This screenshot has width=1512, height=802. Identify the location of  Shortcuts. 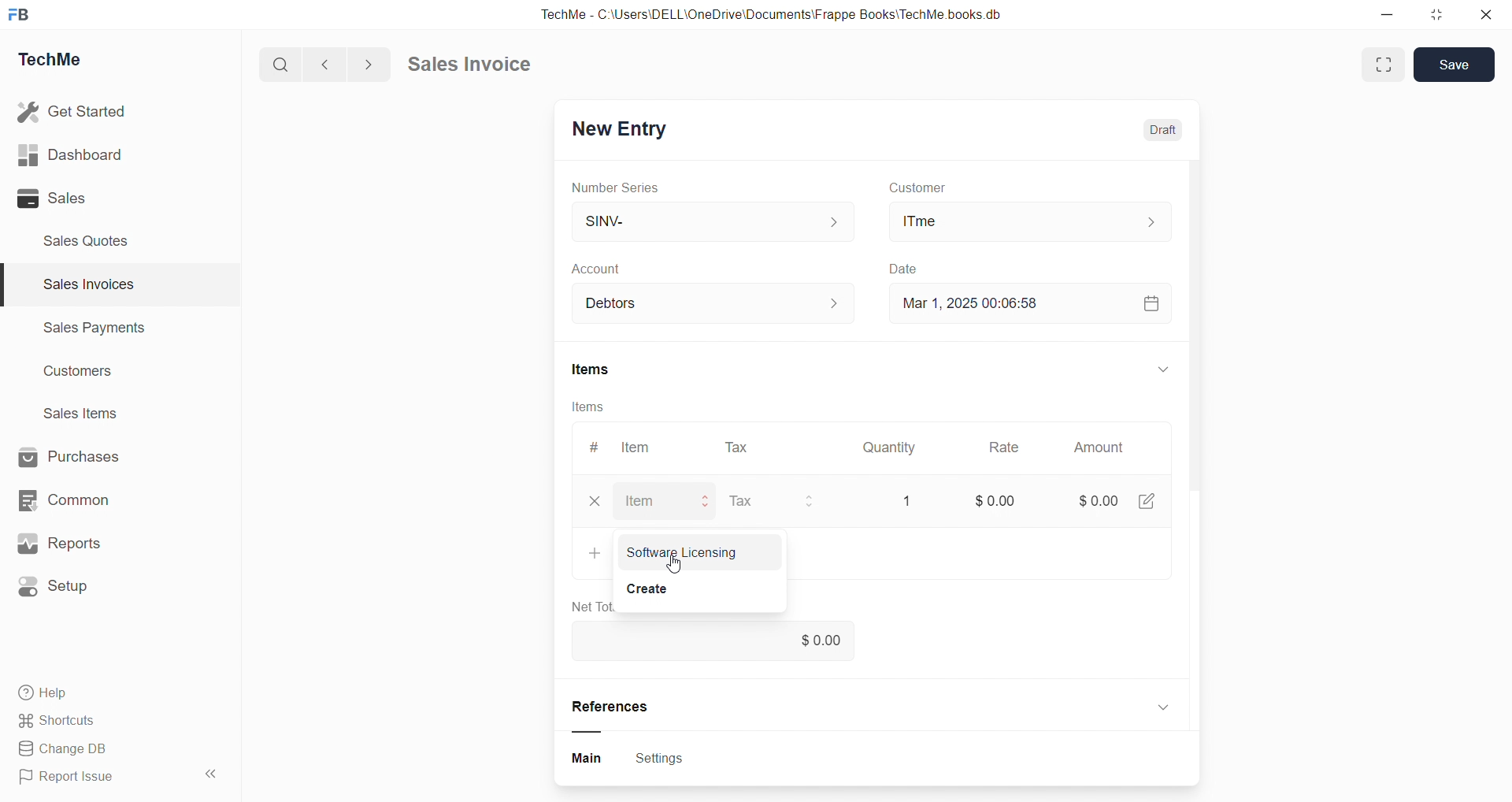
(63, 722).